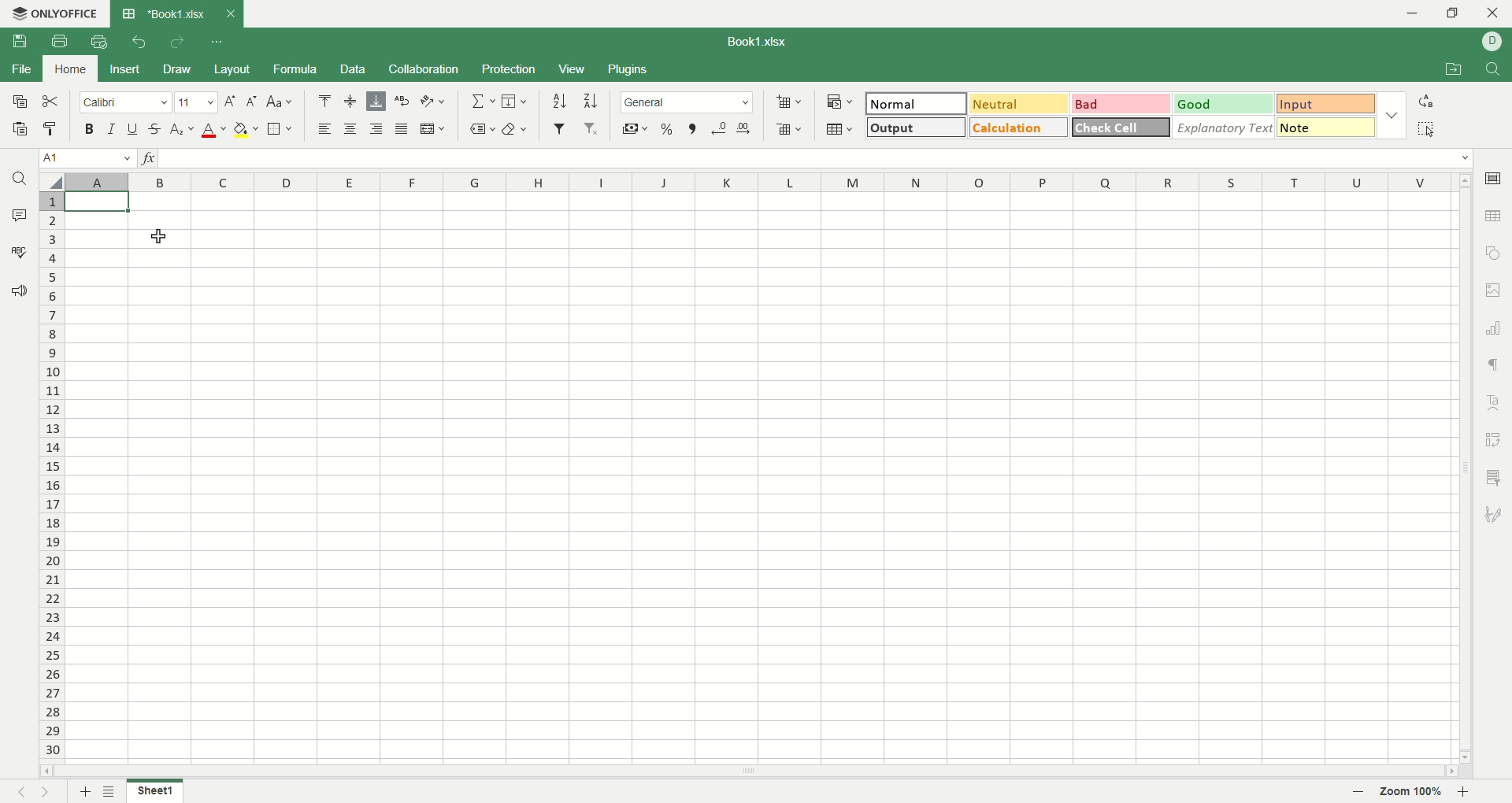 Image resolution: width=1512 pixels, height=803 pixels. What do you see at coordinates (132, 128) in the screenshot?
I see `underline` at bounding box center [132, 128].